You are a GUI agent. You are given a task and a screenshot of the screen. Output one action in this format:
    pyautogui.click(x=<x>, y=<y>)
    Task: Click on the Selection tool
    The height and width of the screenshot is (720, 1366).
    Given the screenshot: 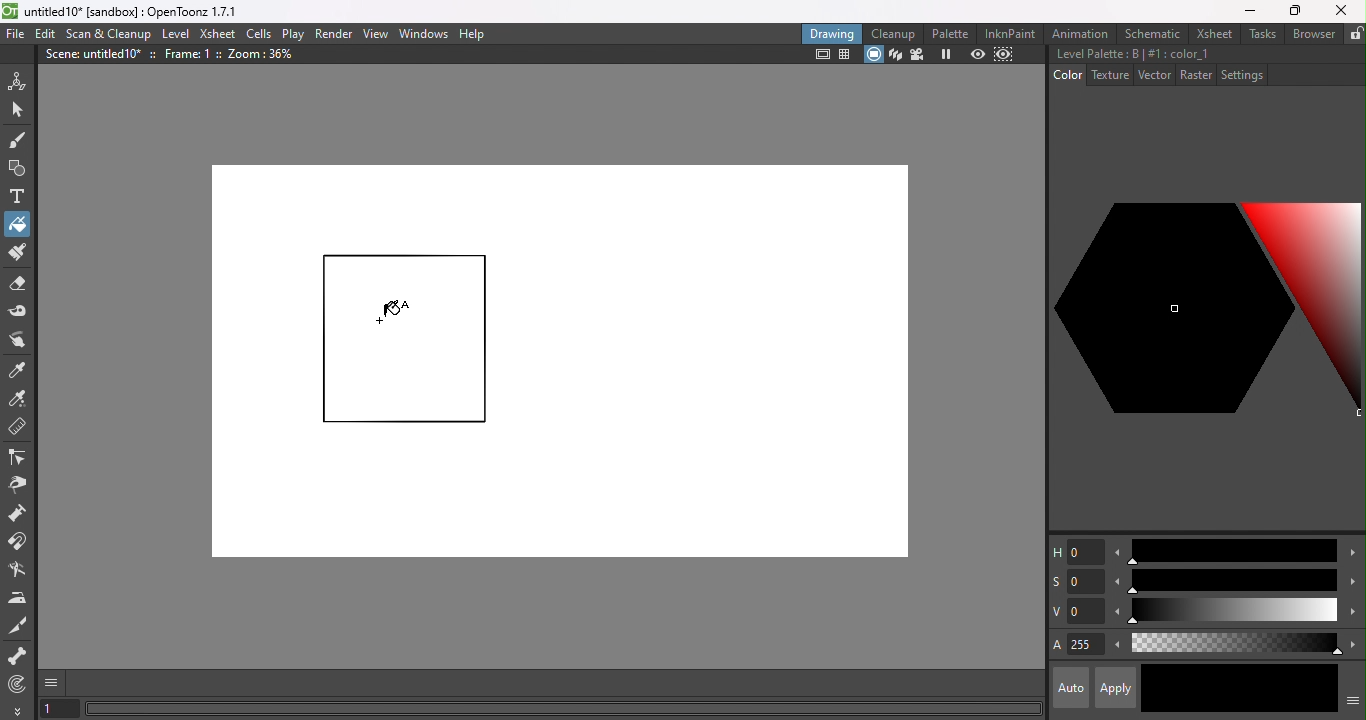 What is the action you would take?
    pyautogui.click(x=17, y=108)
    